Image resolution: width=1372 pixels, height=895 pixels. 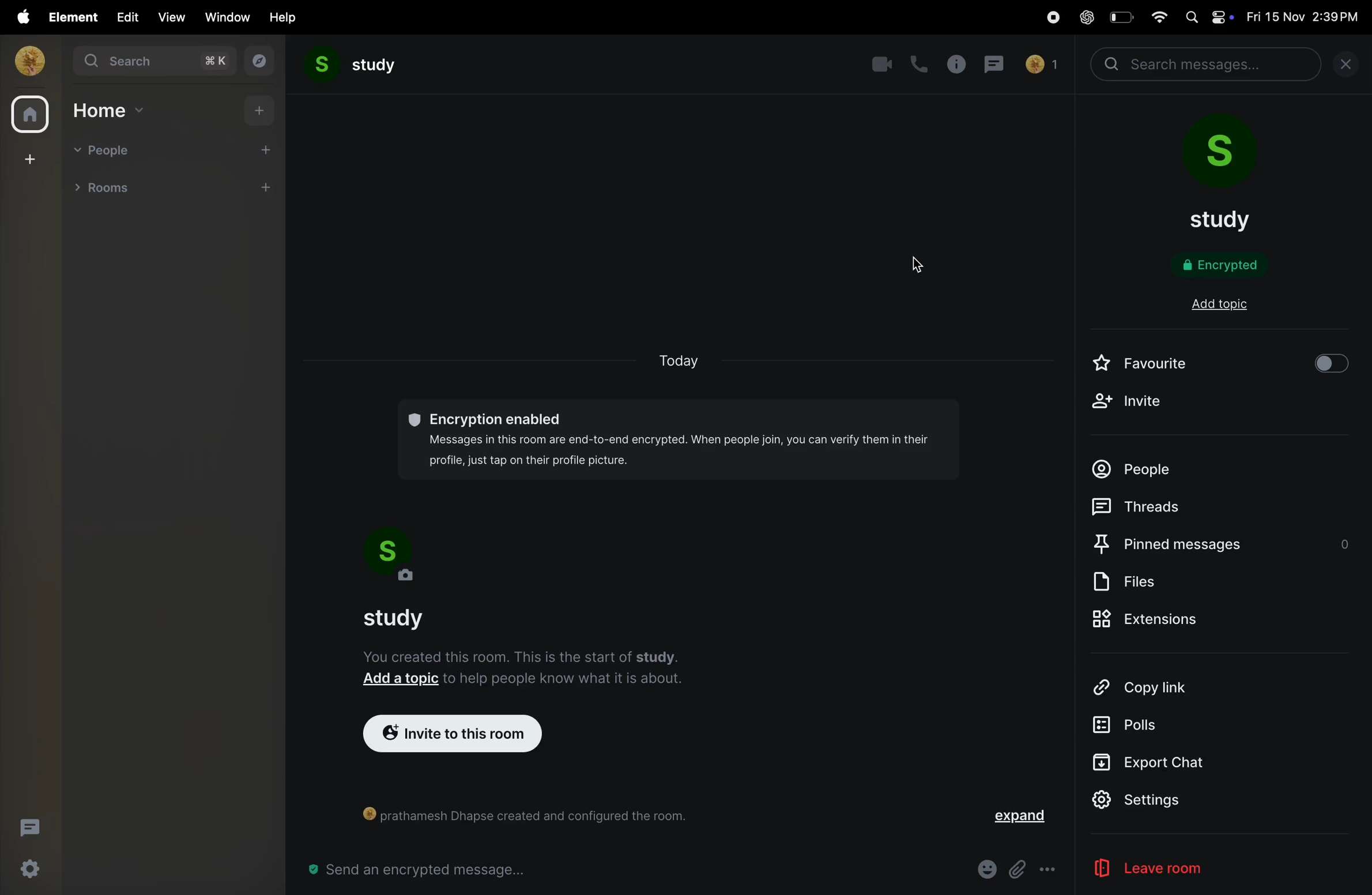 I want to click on message bar, so click(x=423, y=871).